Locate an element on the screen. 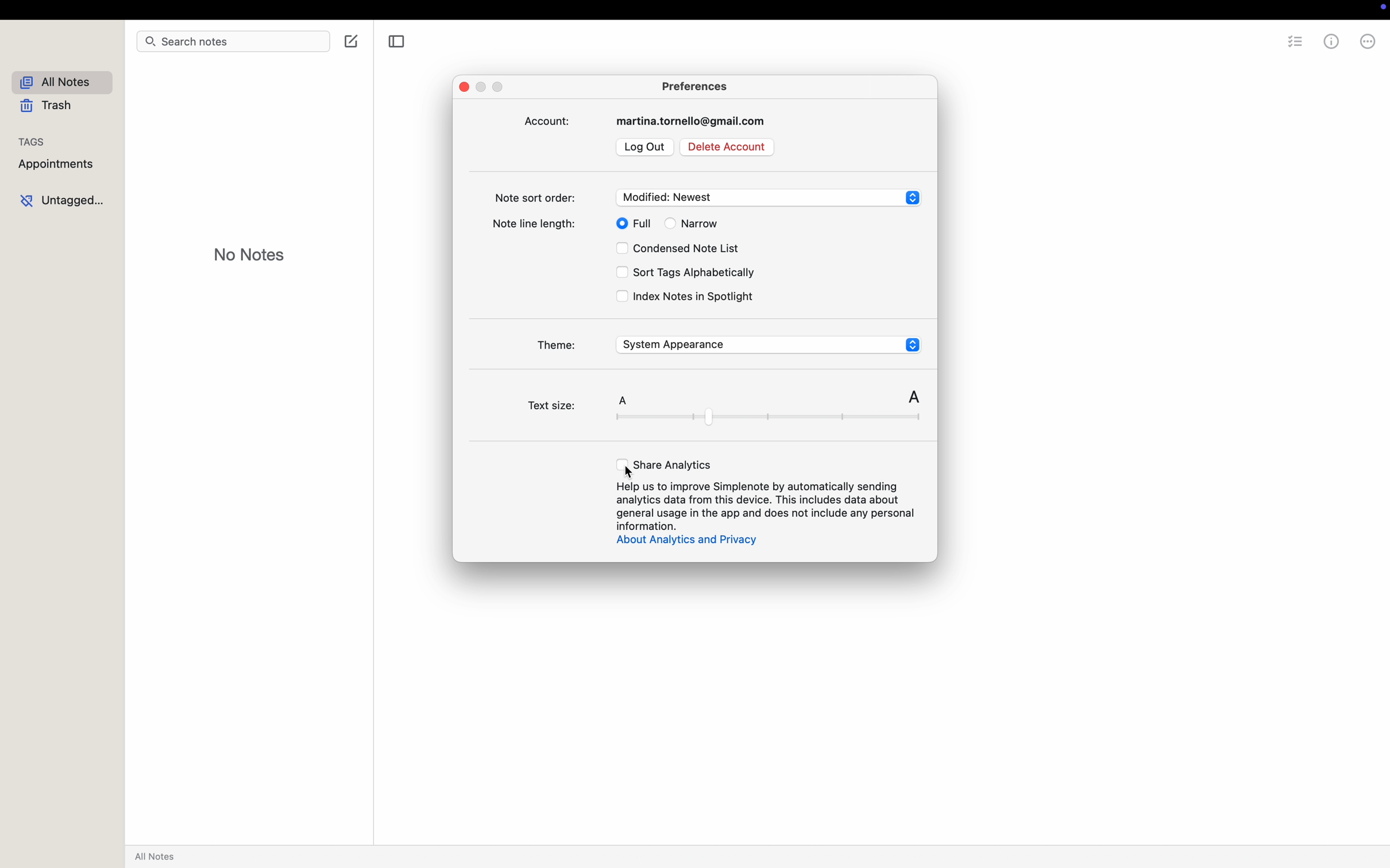  create note is located at coordinates (352, 44).